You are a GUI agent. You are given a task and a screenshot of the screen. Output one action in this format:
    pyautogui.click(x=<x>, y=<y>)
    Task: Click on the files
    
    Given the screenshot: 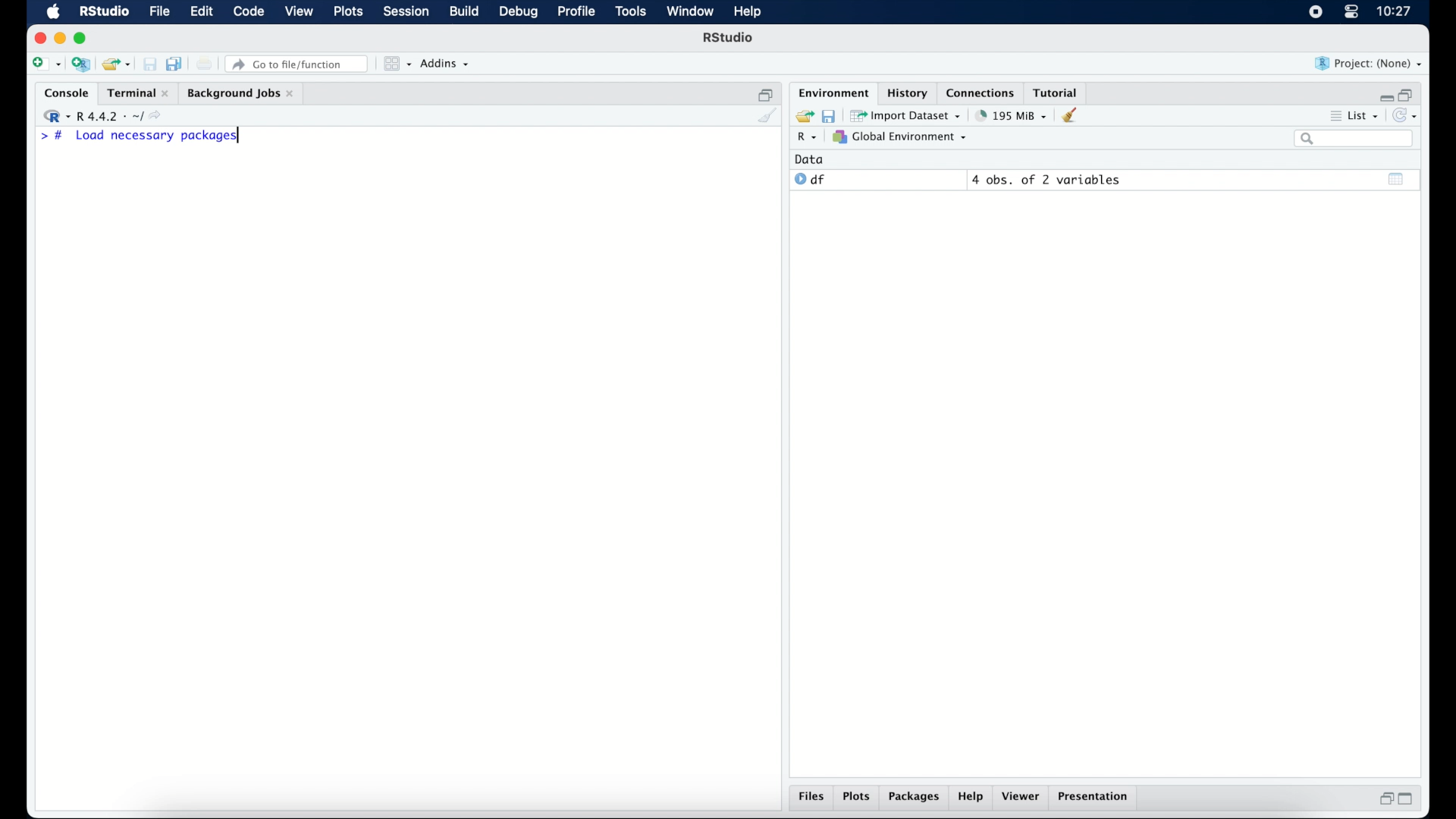 What is the action you would take?
    pyautogui.click(x=811, y=799)
    